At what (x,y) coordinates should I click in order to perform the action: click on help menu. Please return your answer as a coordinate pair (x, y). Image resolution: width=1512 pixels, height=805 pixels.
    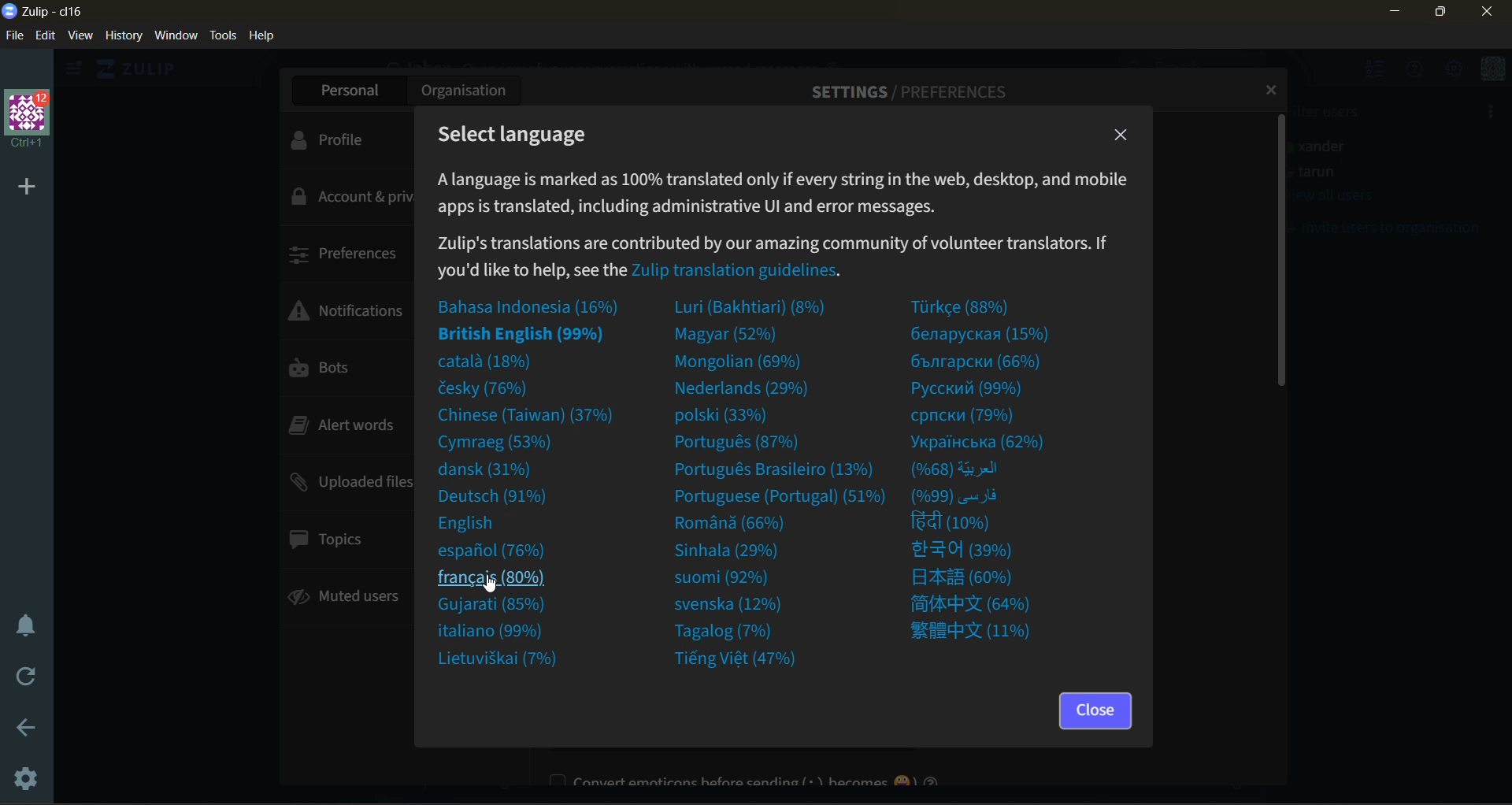
    Looking at the image, I should click on (1403, 76).